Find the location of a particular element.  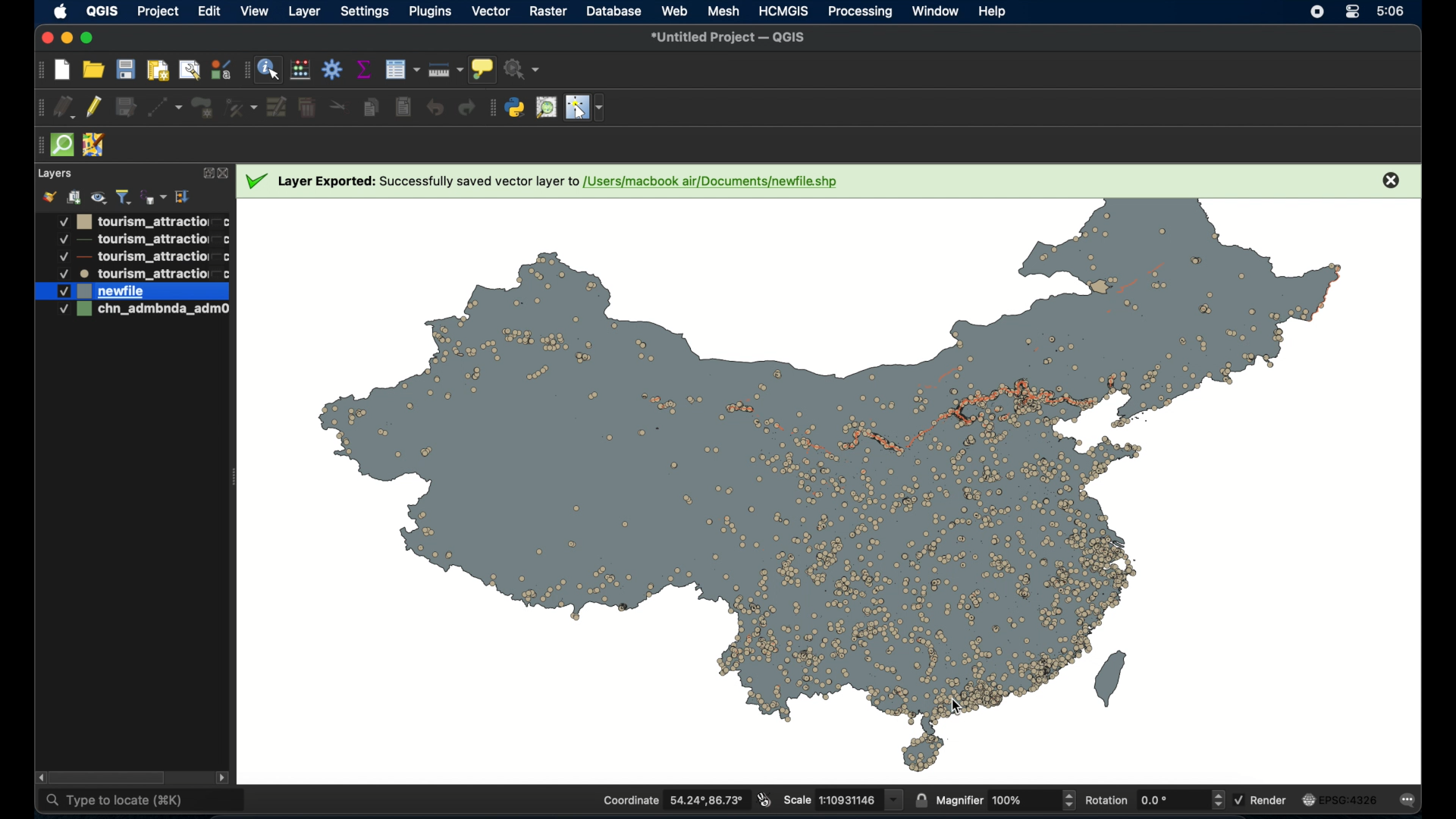

open layer styling panel is located at coordinates (49, 196).